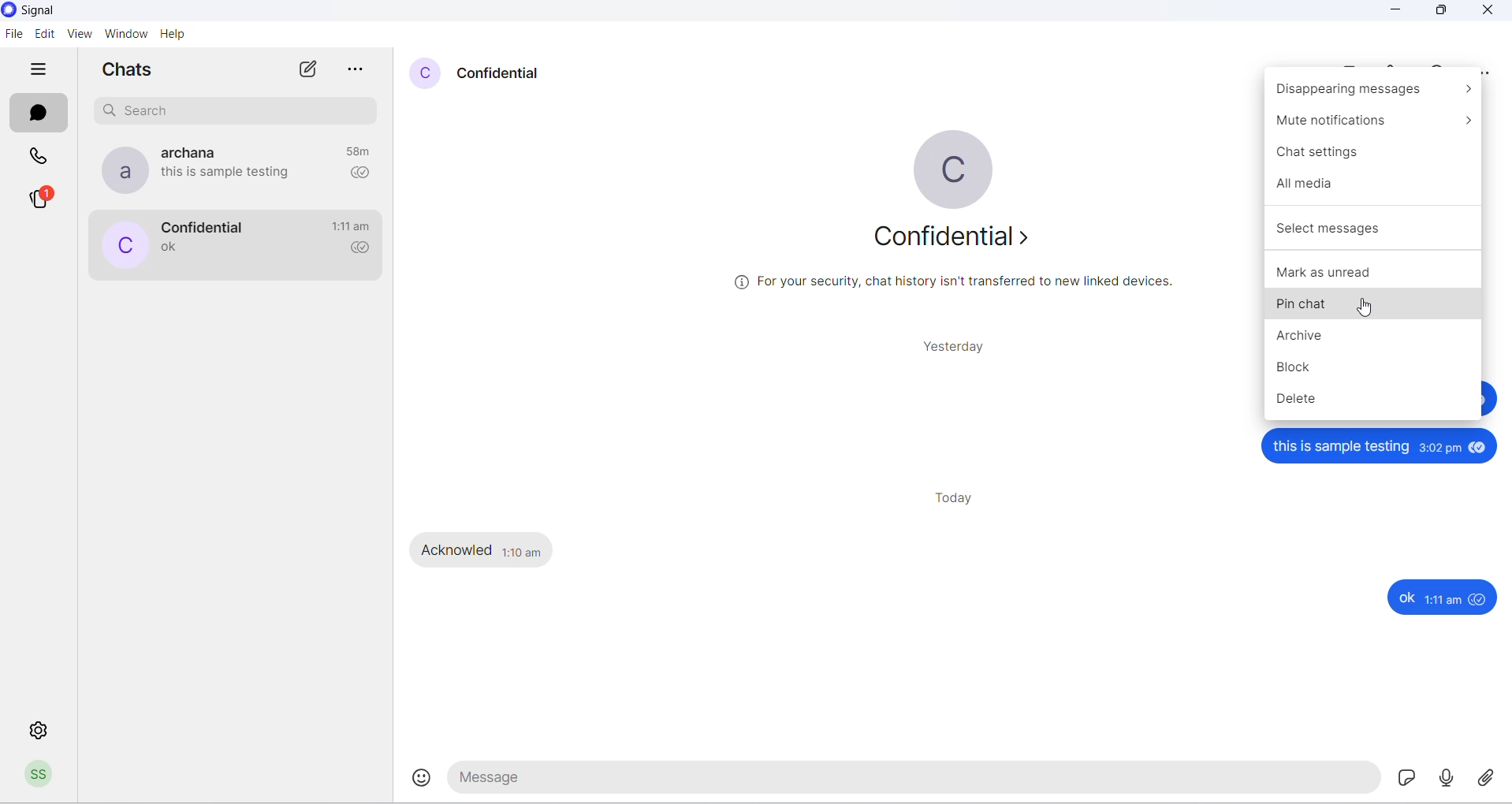  Describe the element at coordinates (1372, 398) in the screenshot. I see `delete` at that location.